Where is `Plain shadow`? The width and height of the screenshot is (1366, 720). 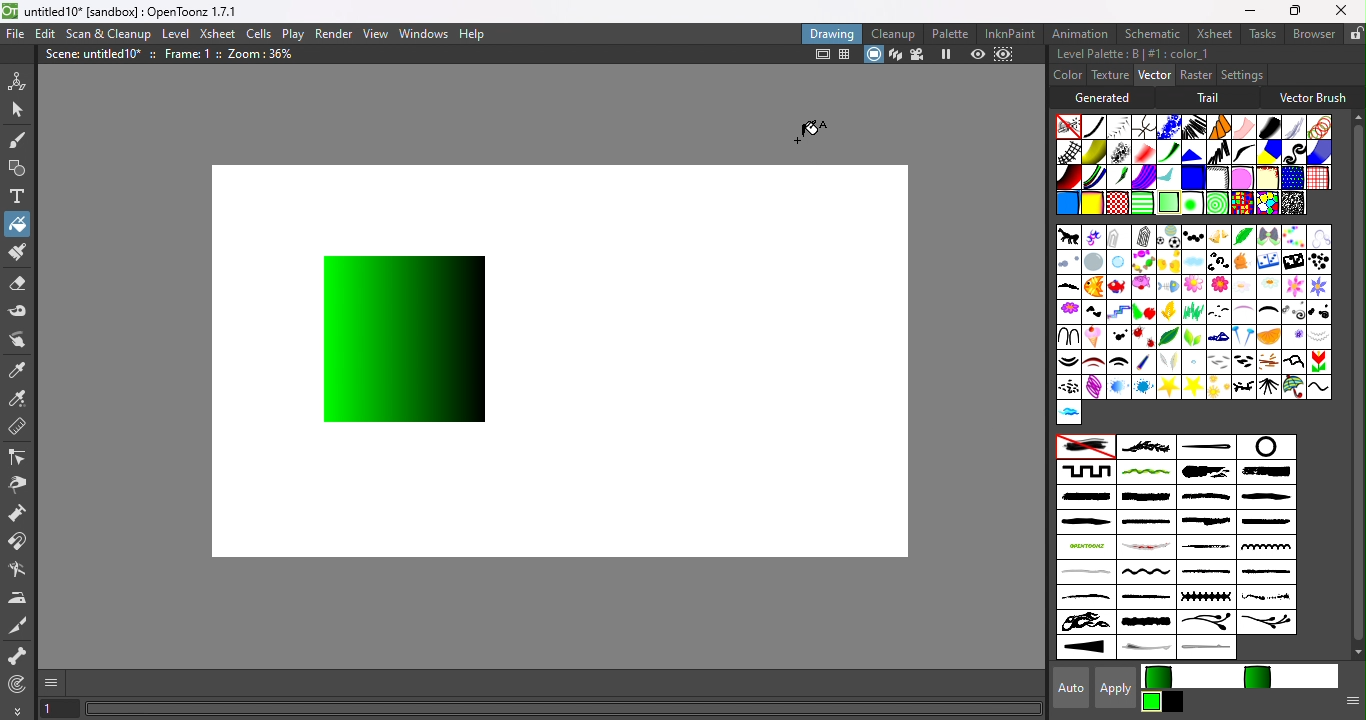
Plain shadow is located at coordinates (1091, 204).